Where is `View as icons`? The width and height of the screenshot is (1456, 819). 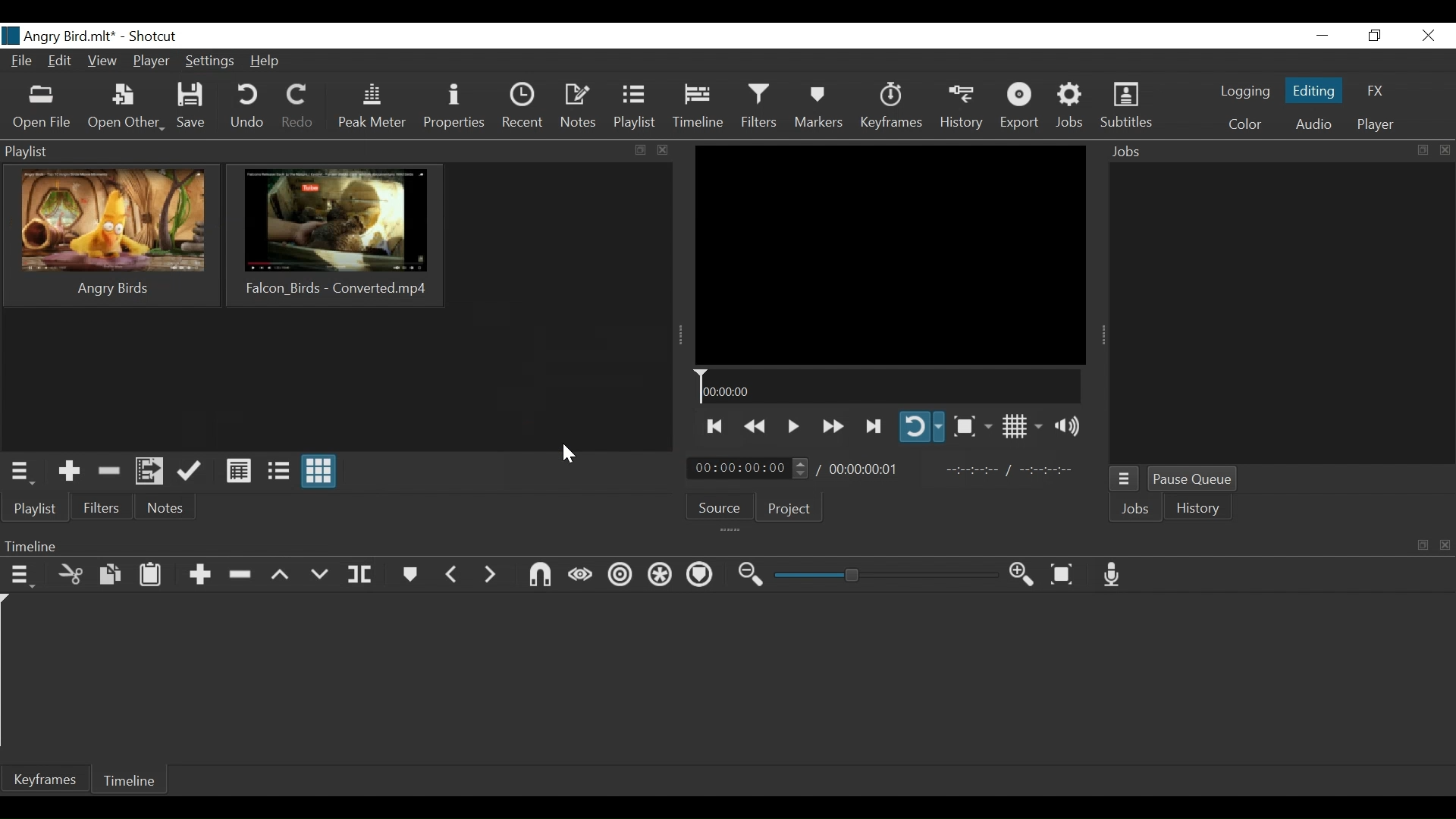 View as icons is located at coordinates (320, 472).